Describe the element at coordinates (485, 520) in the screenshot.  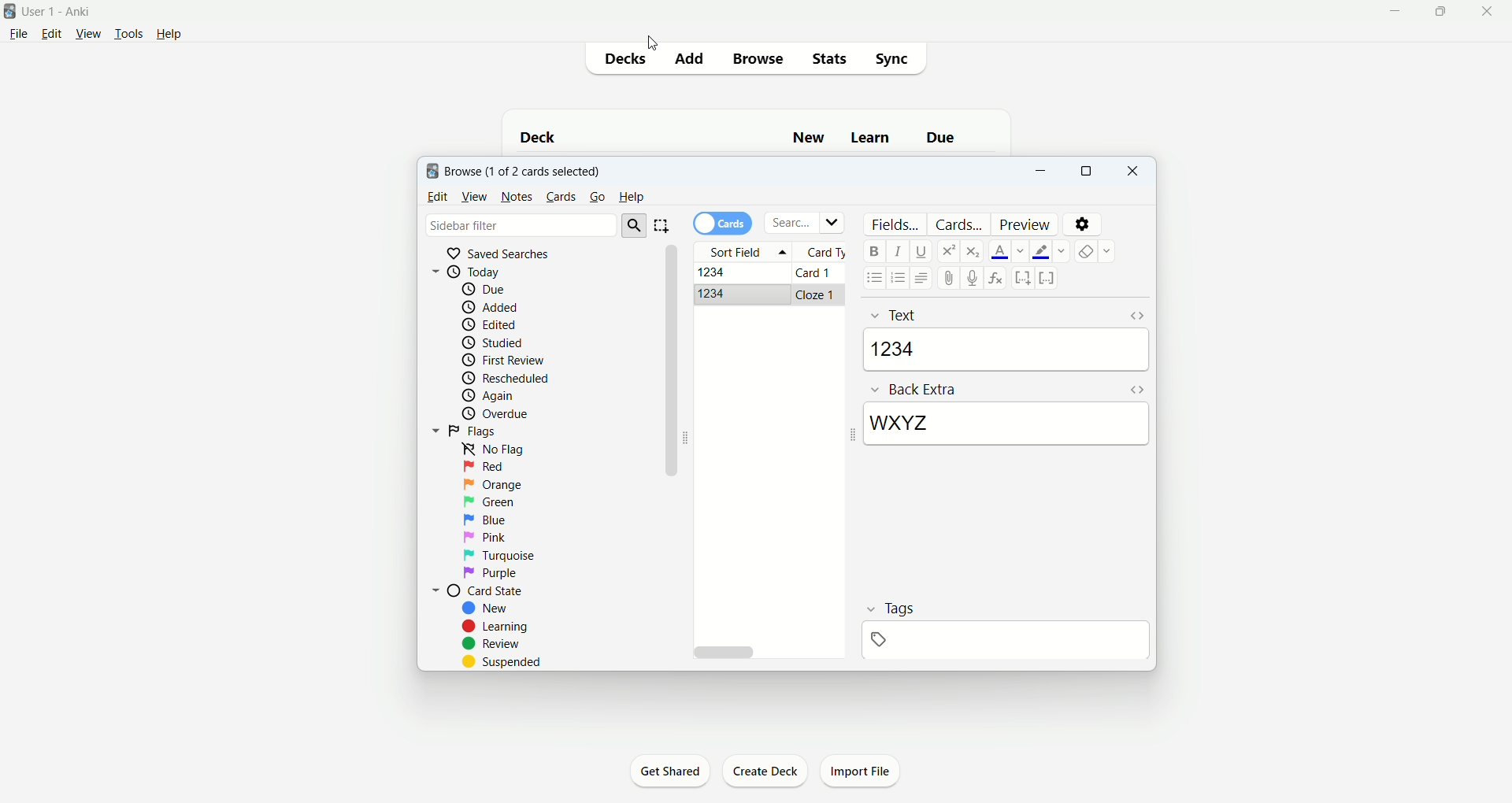
I see `blue` at that location.